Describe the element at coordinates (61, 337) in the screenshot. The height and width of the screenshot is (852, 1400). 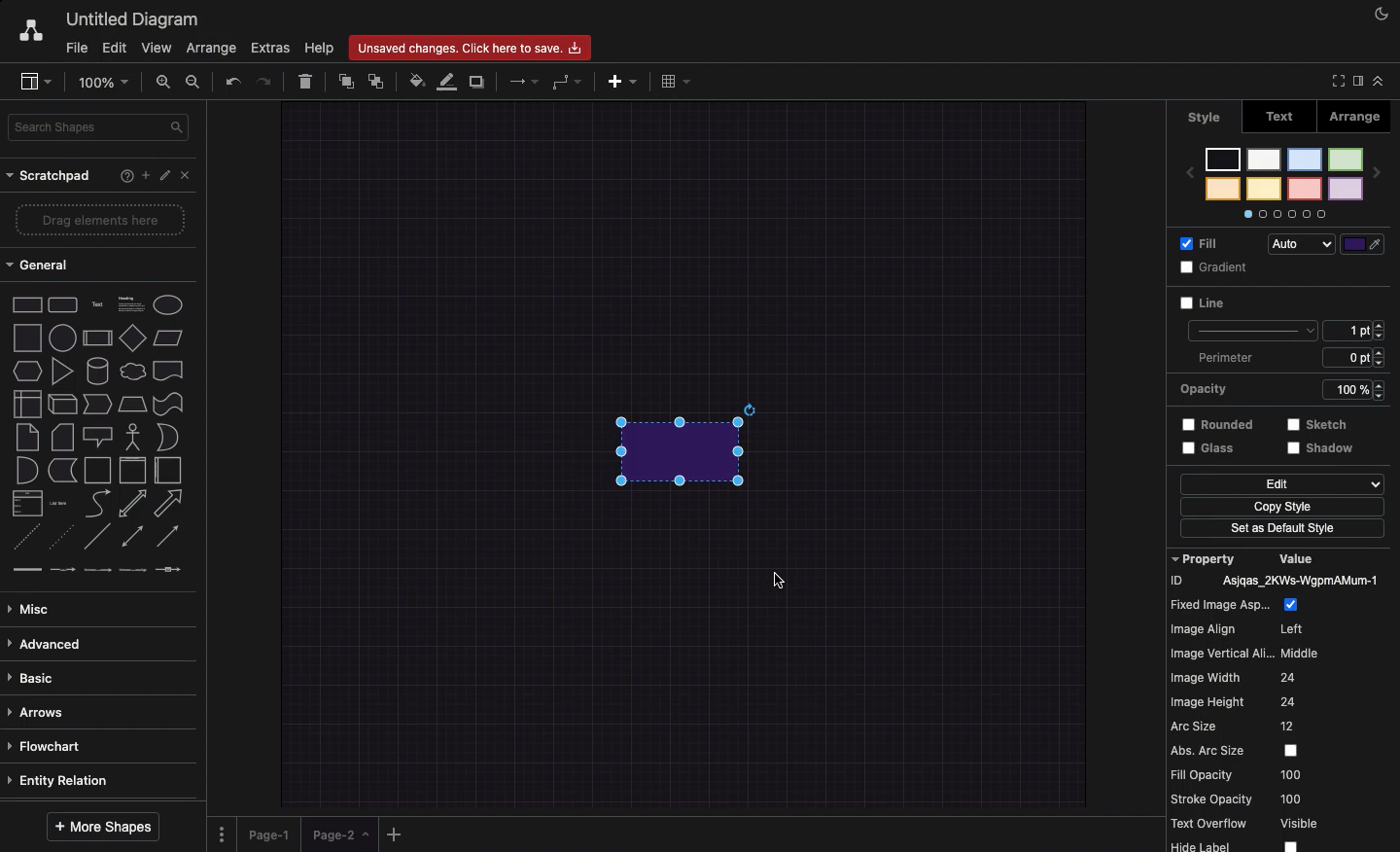
I see `circle` at that location.